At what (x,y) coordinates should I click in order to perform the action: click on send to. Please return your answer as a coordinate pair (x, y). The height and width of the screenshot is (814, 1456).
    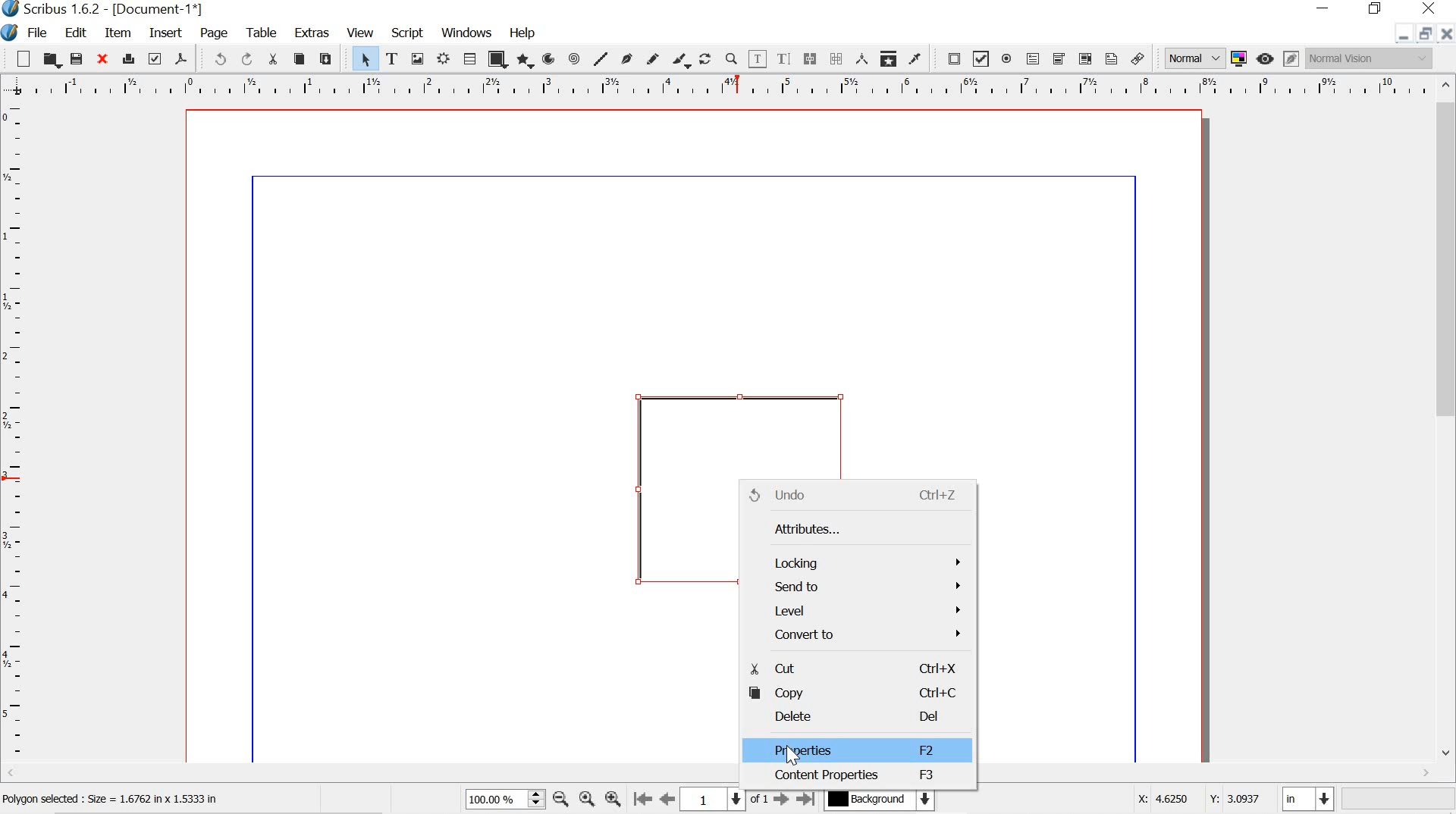
    Looking at the image, I should click on (856, 587).